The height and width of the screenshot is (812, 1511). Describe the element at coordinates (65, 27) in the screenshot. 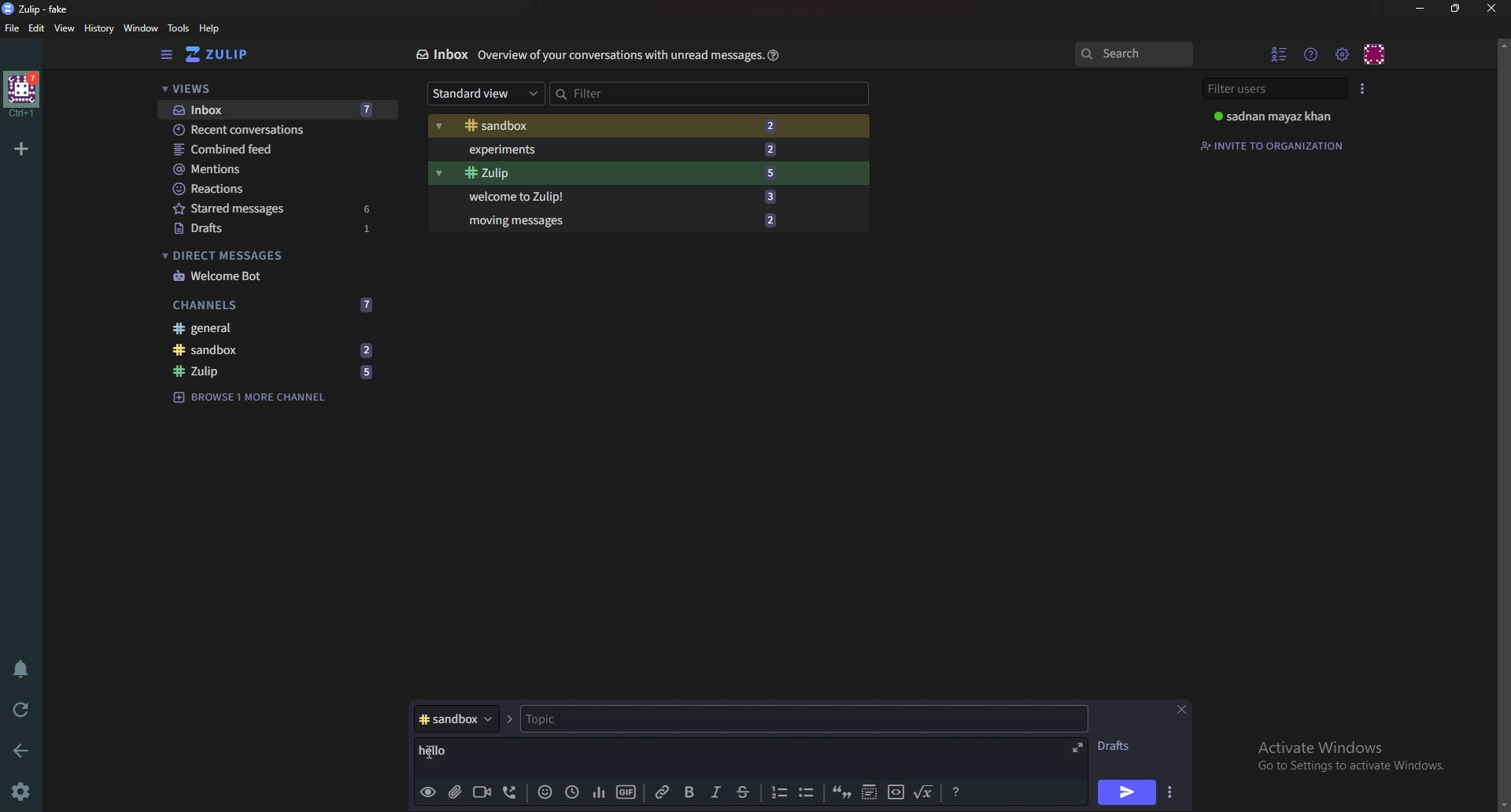

I see `view` at that location.